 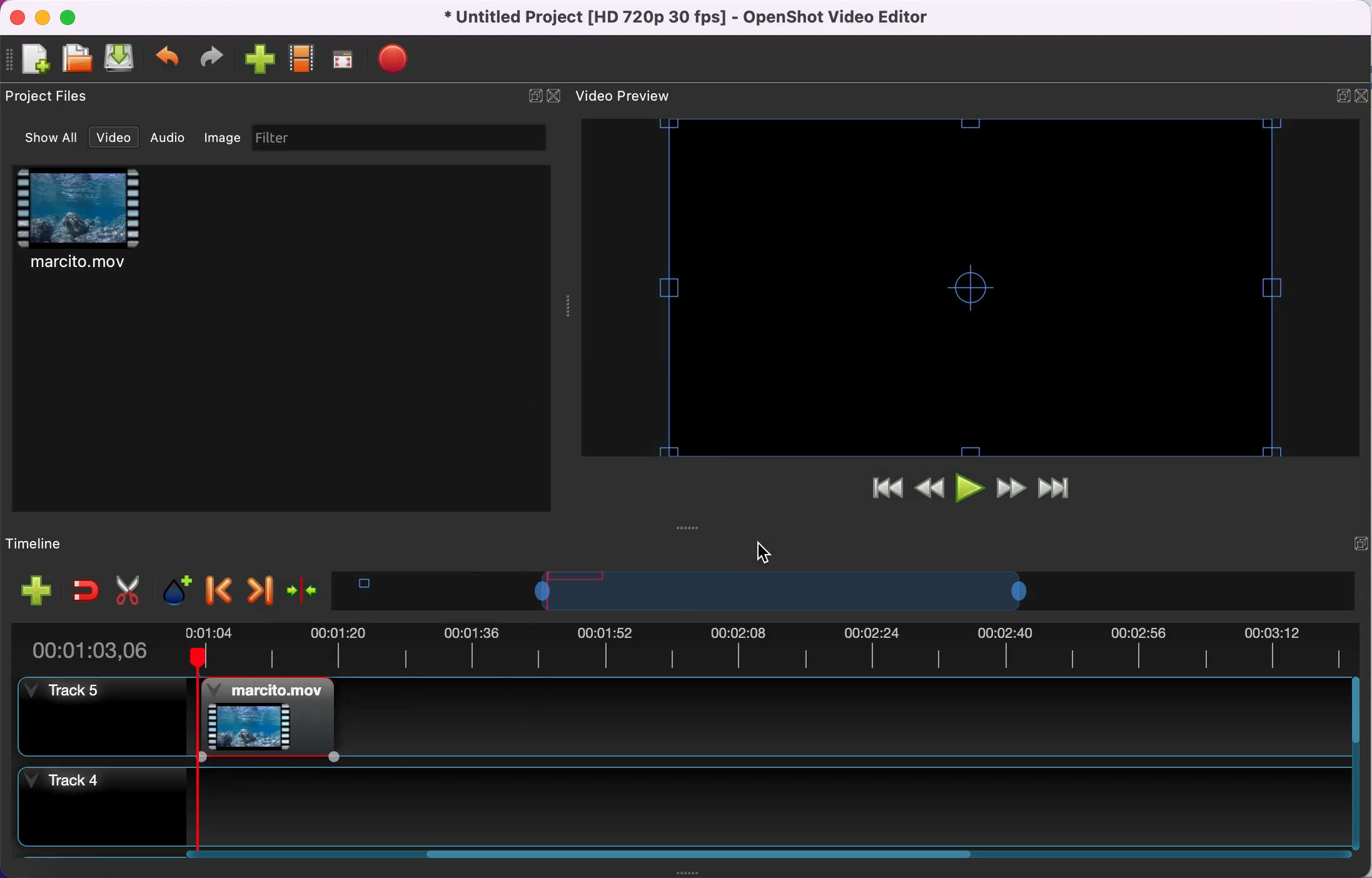 What do you see at coordinates (1010, 492) in the screenshot?
I see `fast forward` at bounding box center [1010, 492].